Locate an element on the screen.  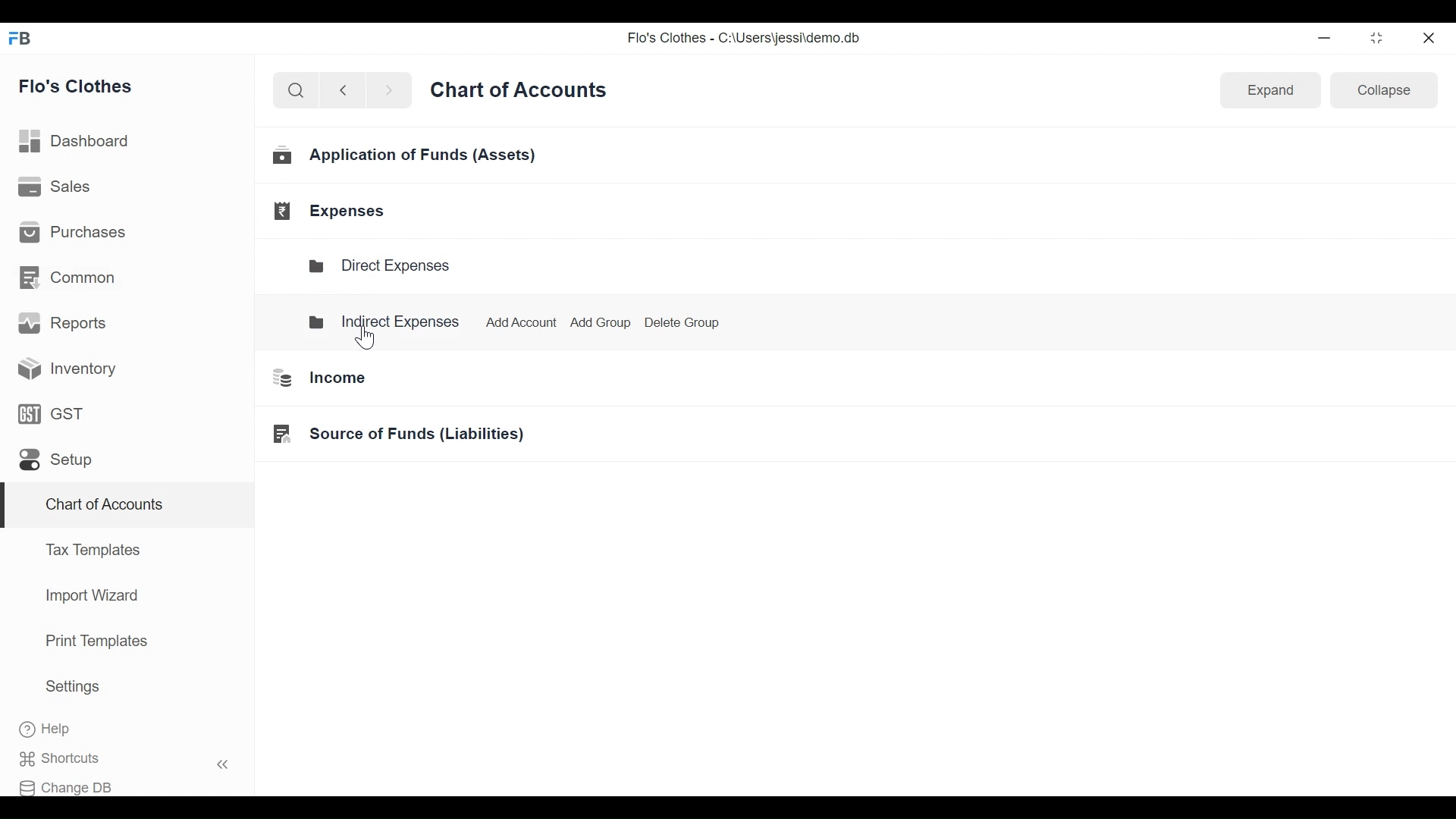
Purchases is located at coordinates (77, 234).